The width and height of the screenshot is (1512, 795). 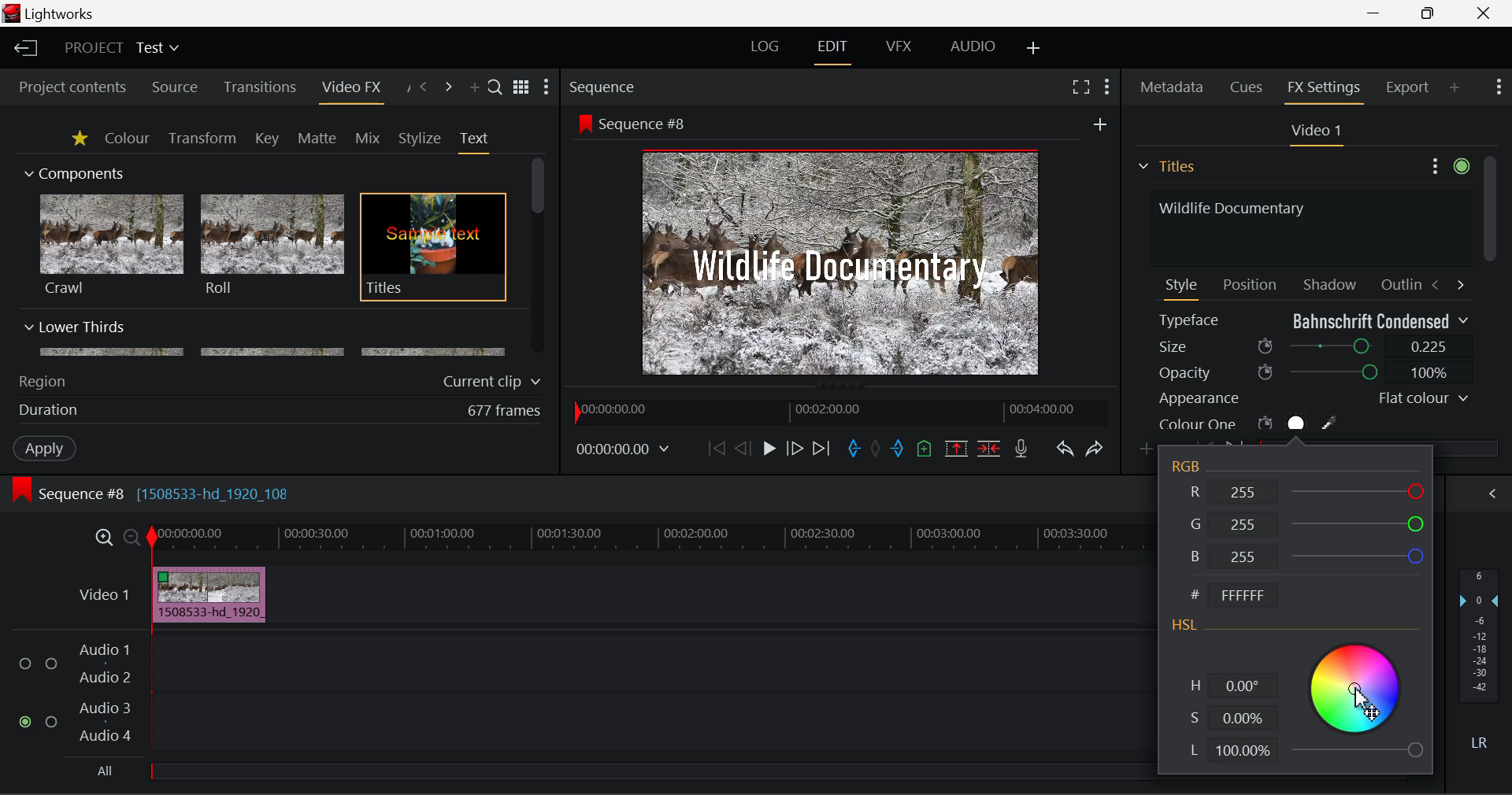 I want to click on Video 1, so click(x=1314, y=131).